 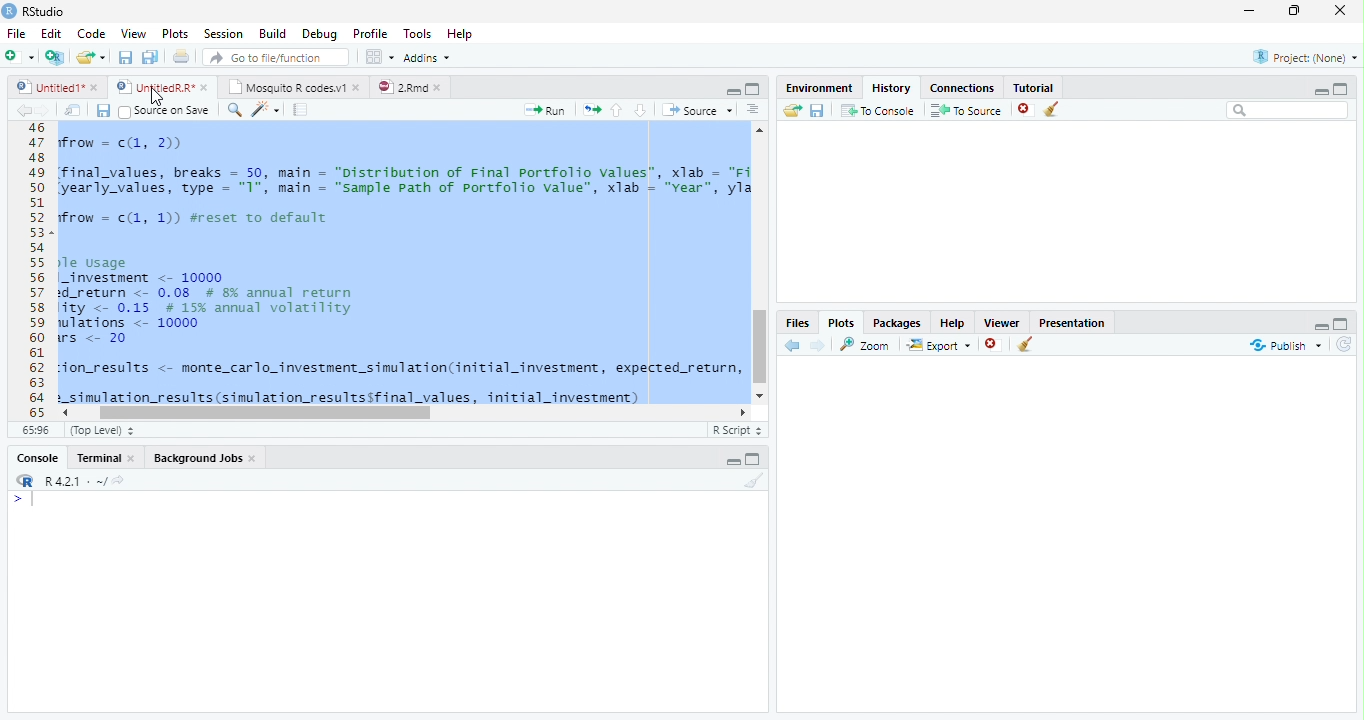 What do you see at coordinates (292, 86) in the screenshot?
I see `Mosquito R codes.v1` at bounding box center [292, 86].